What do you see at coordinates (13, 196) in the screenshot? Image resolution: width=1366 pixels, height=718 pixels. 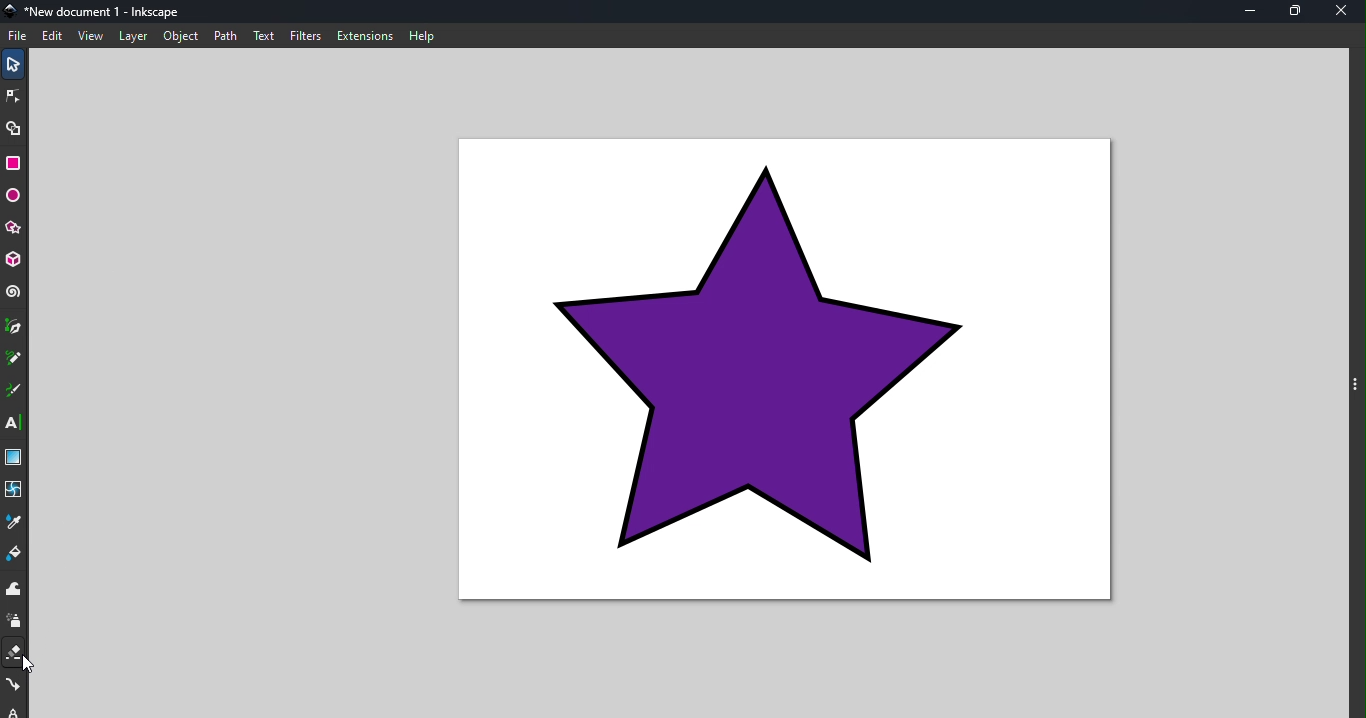 I see `ellipse/arc tool` at bounding box center [13, 196].